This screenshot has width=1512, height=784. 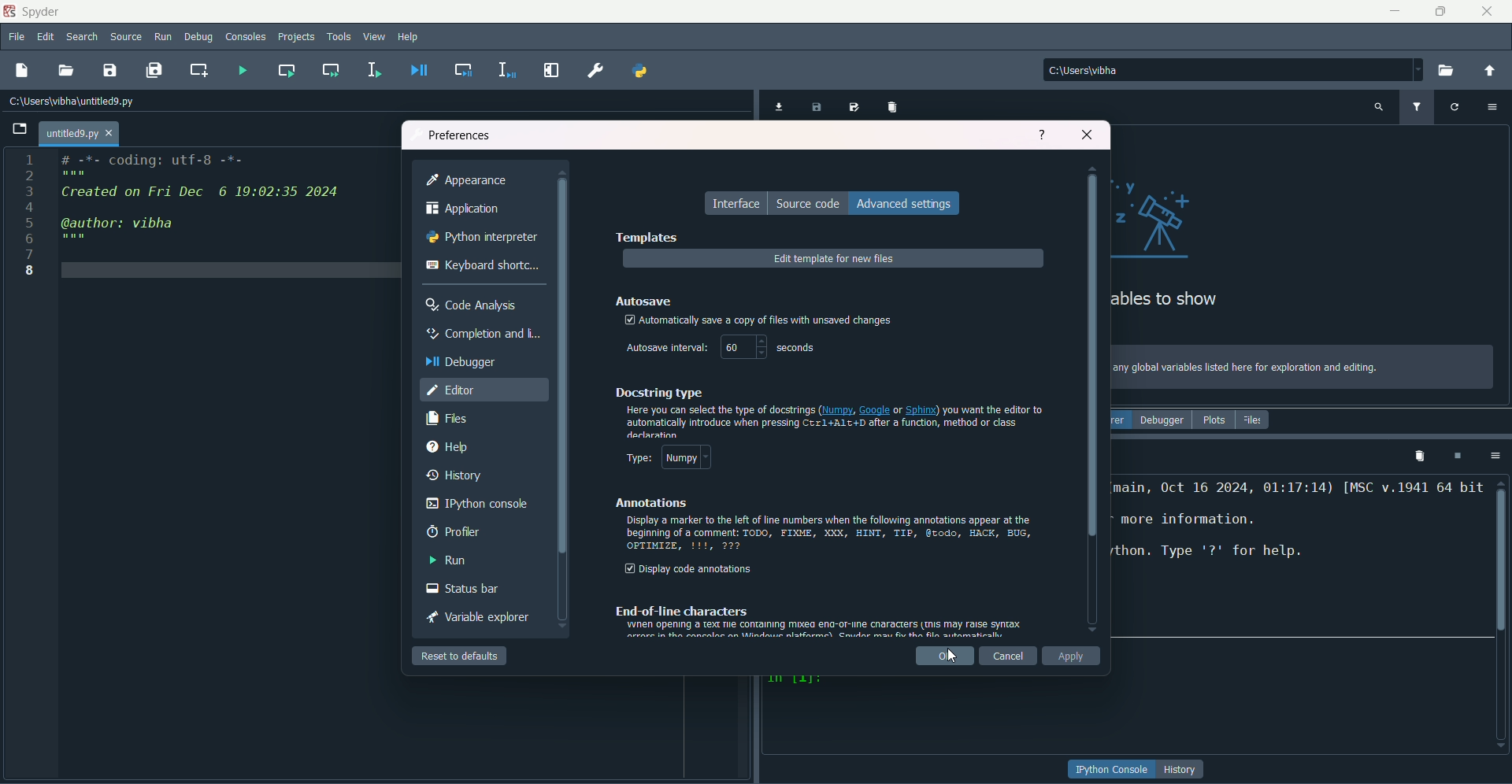 What do you see at coordinates (285, 70) in the screenshot?
I see `run current cell` at bounding box center [285, 70].